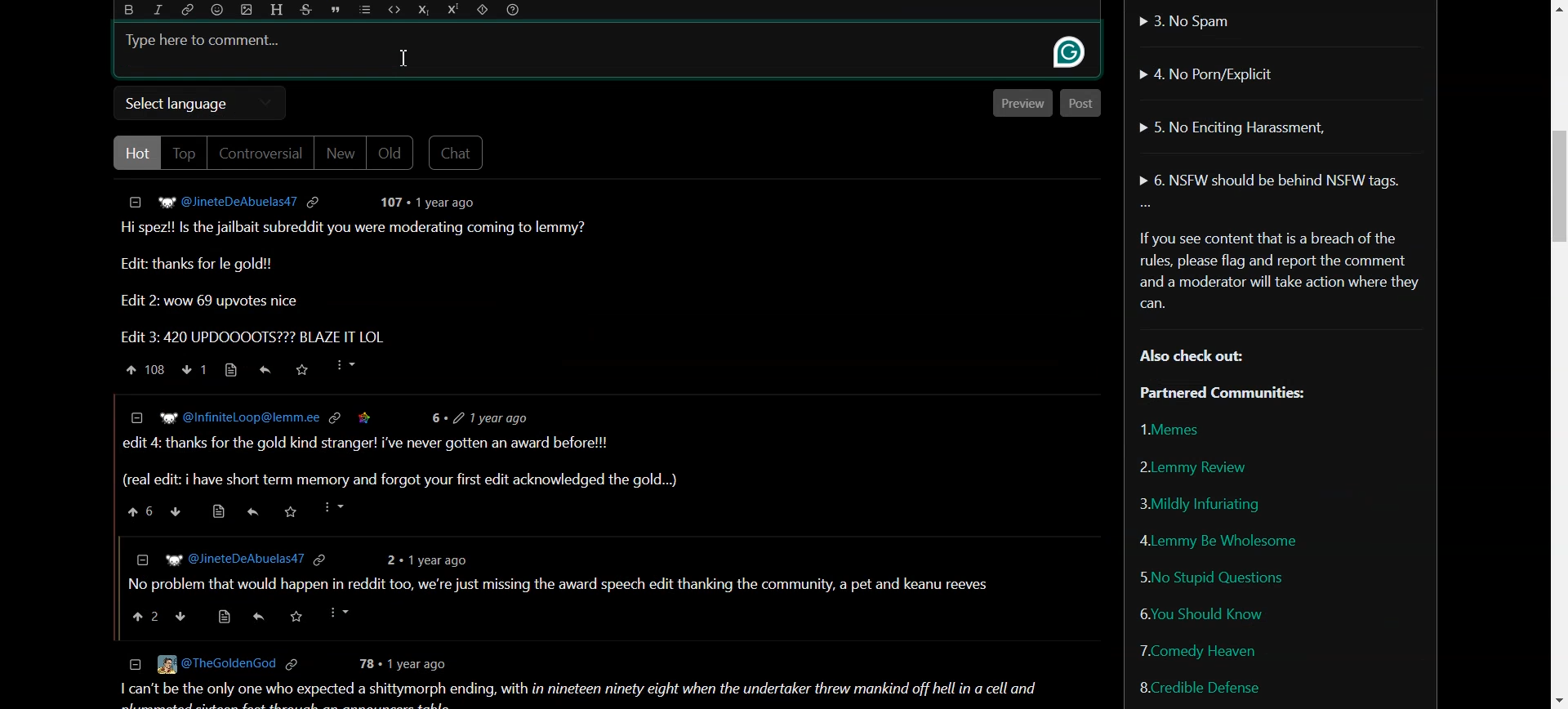  Describe the element at coordinates (514, 11) in the screenshot. I see `Formatting Help` at that location.